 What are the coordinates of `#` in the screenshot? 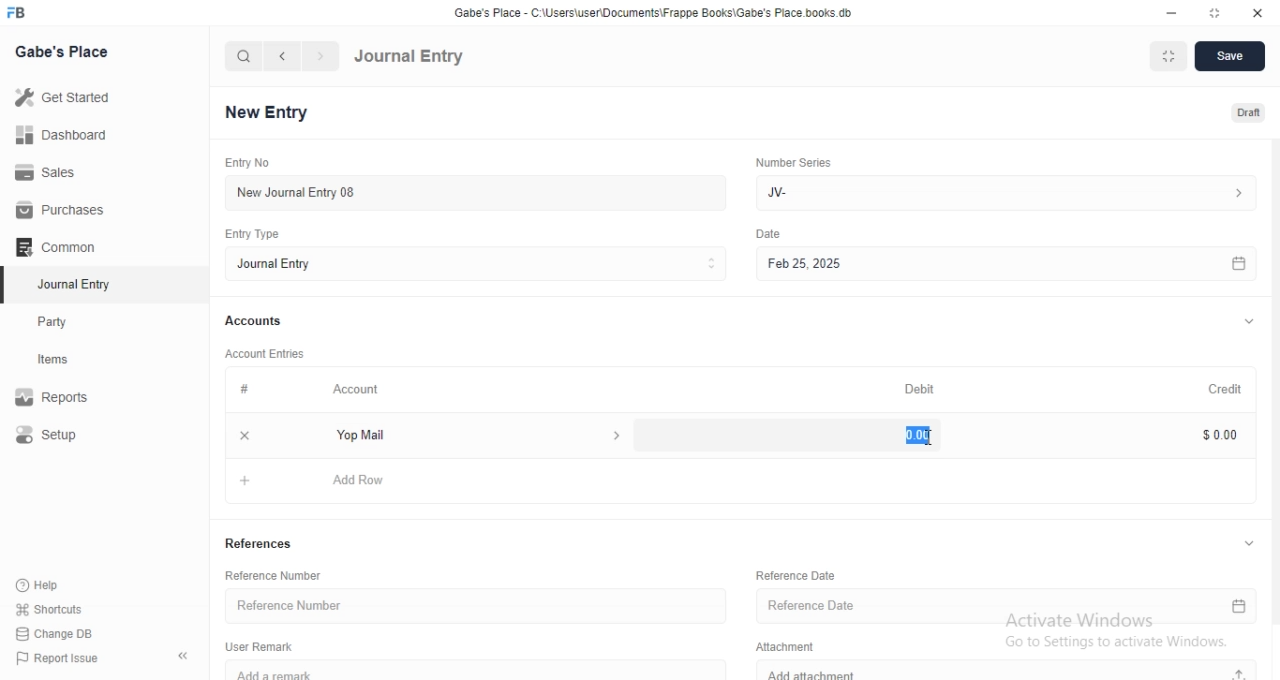 It's located at (243, 390).